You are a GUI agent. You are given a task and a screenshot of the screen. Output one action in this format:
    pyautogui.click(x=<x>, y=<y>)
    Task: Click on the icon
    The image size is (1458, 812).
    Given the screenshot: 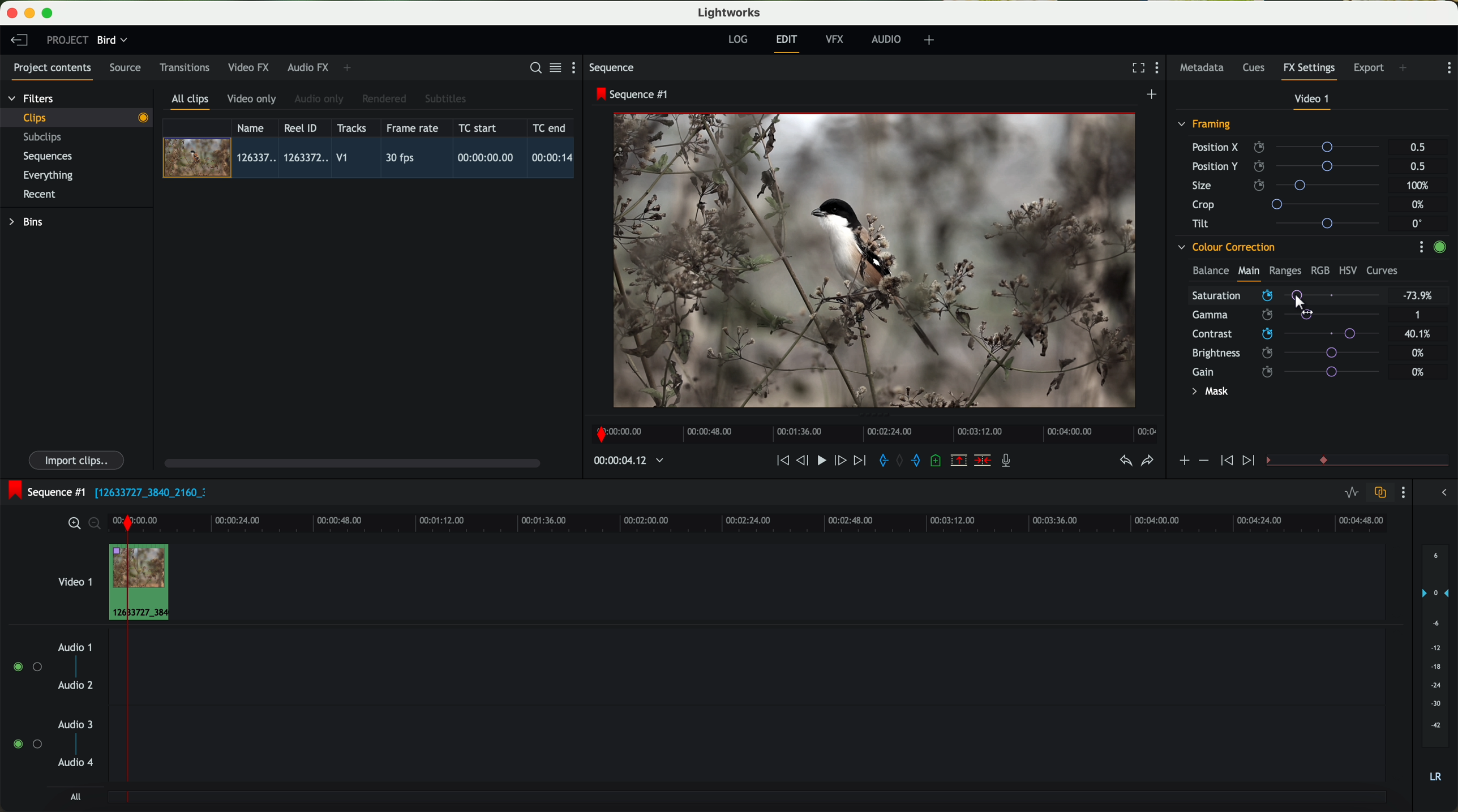 What is the action you would take?
    pyautogui.click(x=1225, y=461)
    